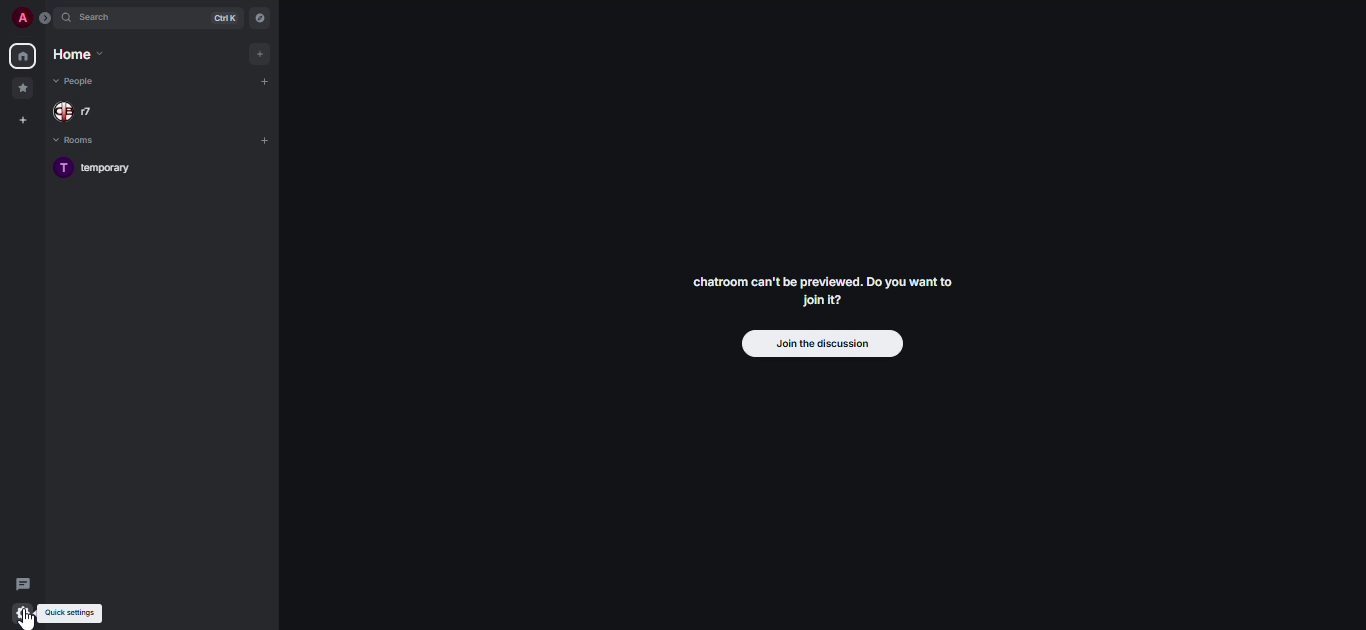 The image size is (1366, 630). I want to click on join the discussion, so click(822, 345).